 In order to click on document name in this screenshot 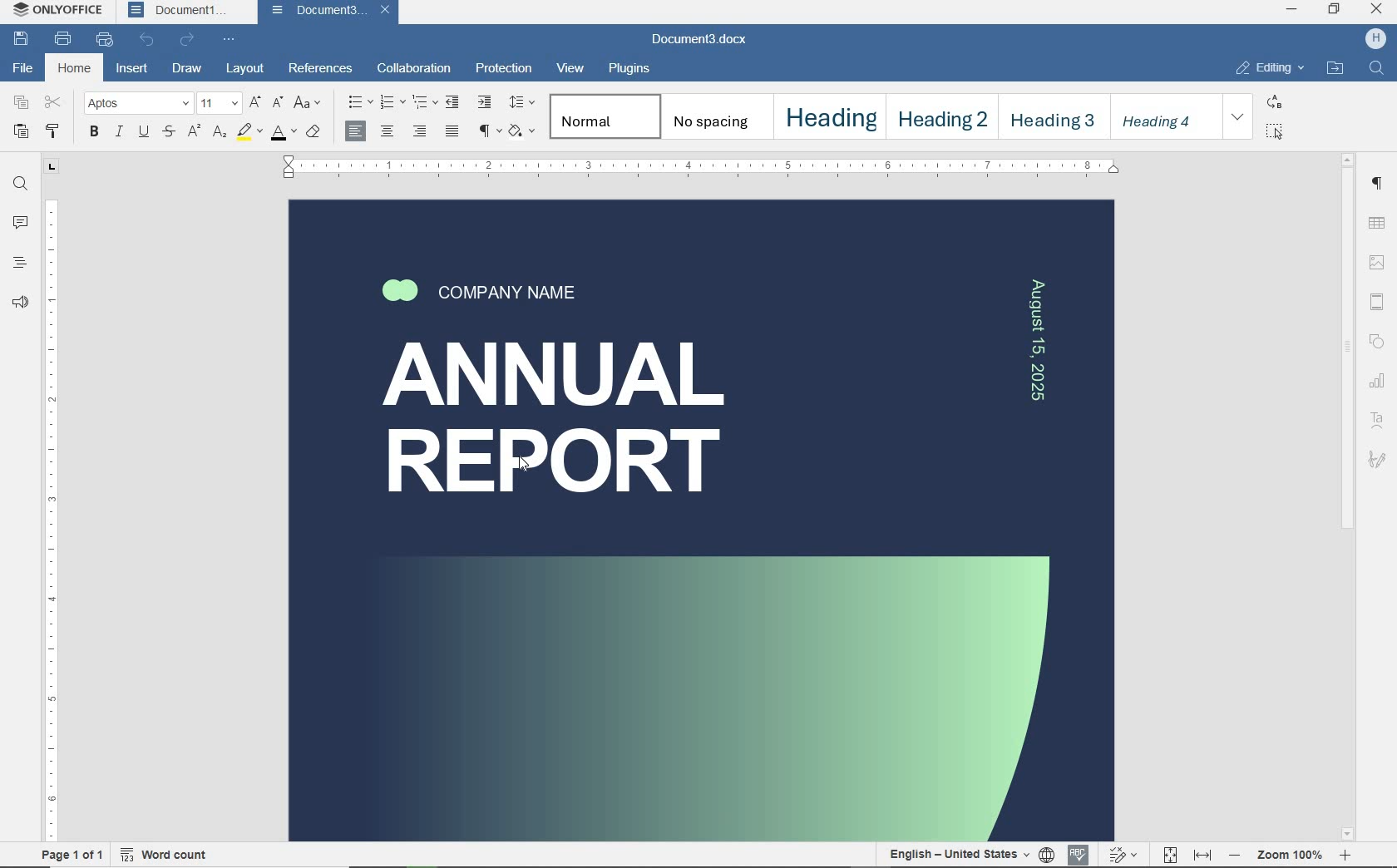, I will do `click(699, 39)`.